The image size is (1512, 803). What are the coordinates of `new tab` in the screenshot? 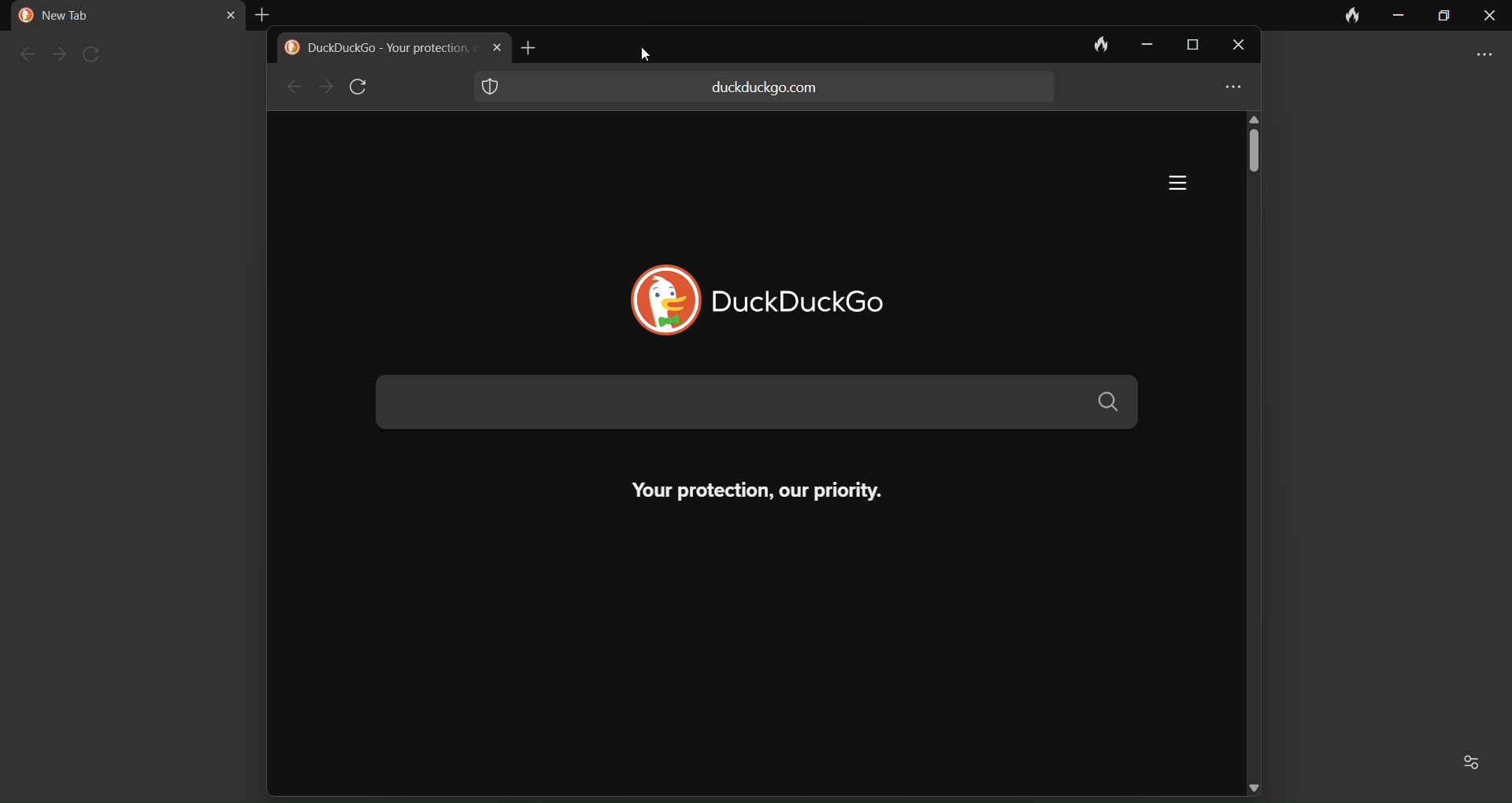 It's located at (543, 49).